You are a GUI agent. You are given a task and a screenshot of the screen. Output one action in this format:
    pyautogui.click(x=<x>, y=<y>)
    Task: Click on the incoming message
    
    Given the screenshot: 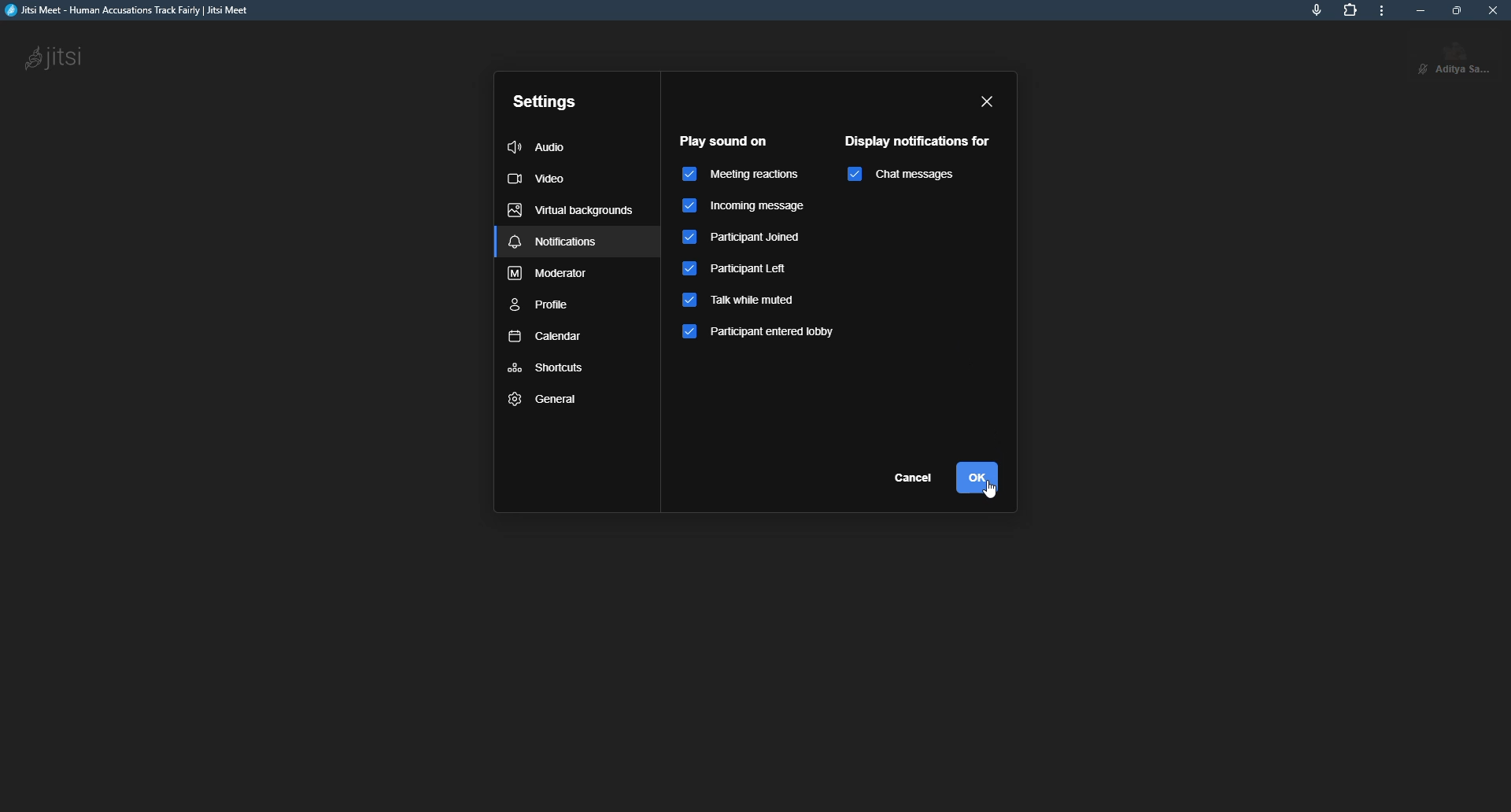 What is the action you would take?
    pyautogui.click(x=753, y=206)
    